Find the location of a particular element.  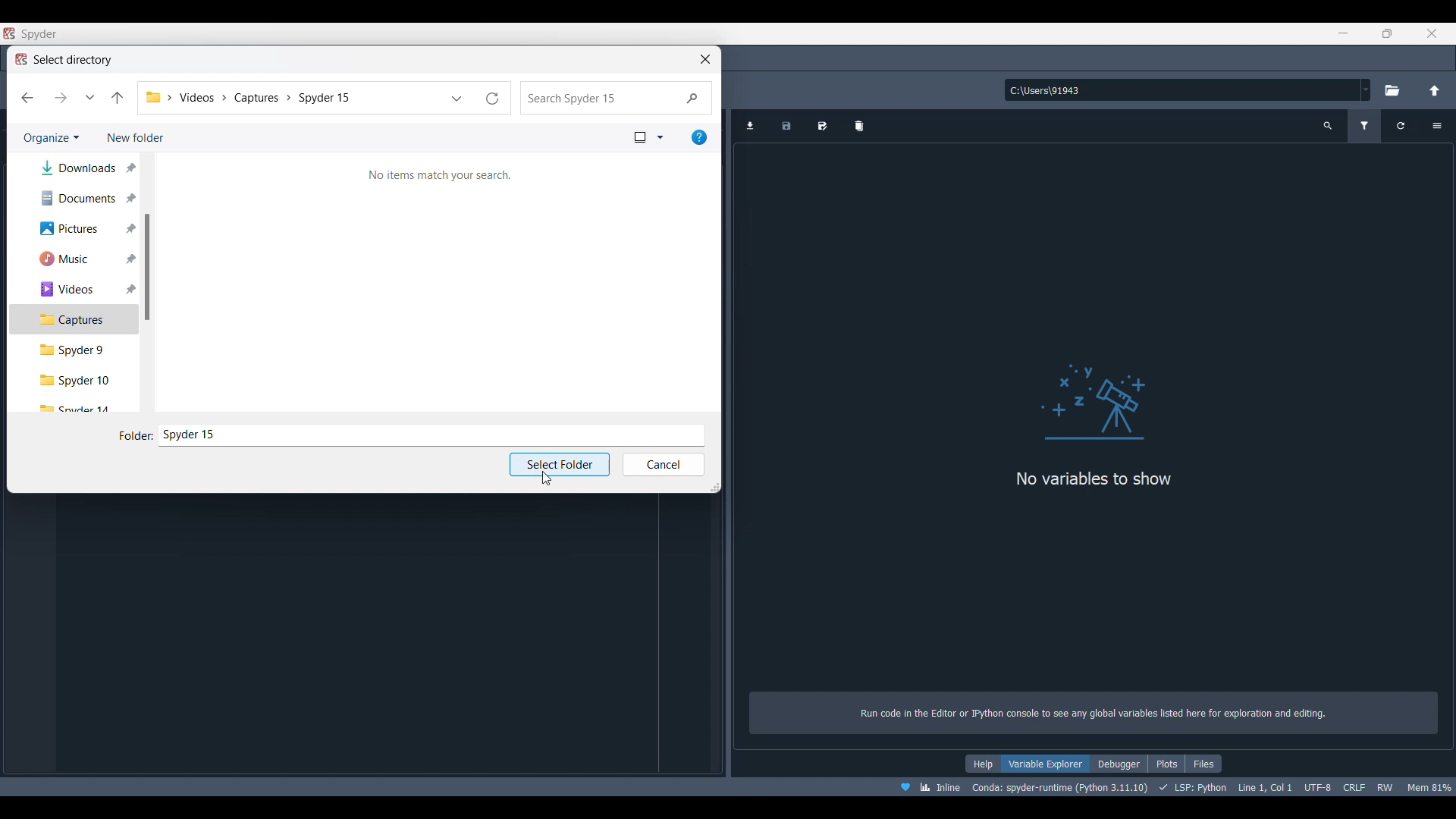

Text box is located at coordinates (431, 436).